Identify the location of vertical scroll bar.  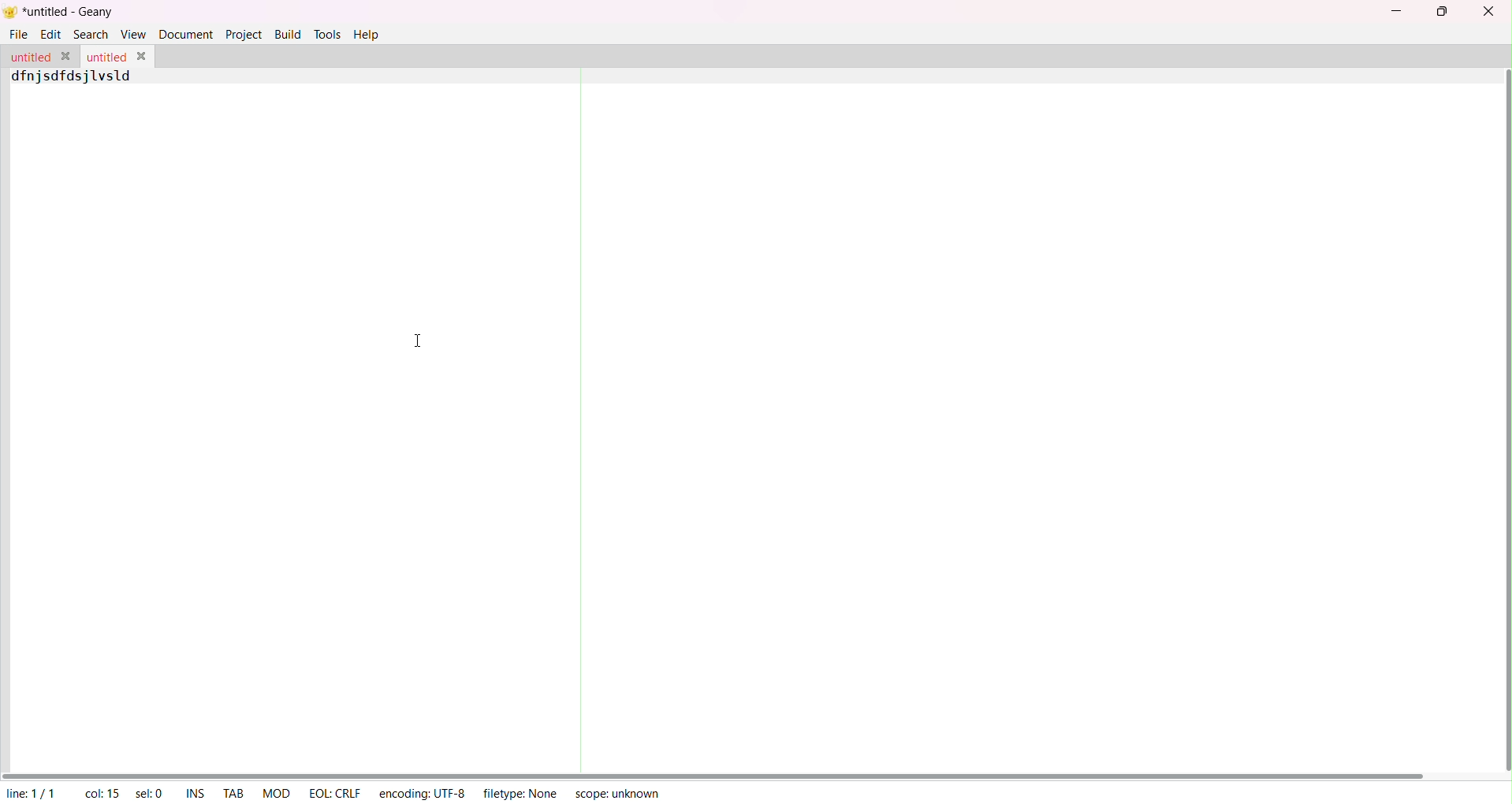
(1503, 418).